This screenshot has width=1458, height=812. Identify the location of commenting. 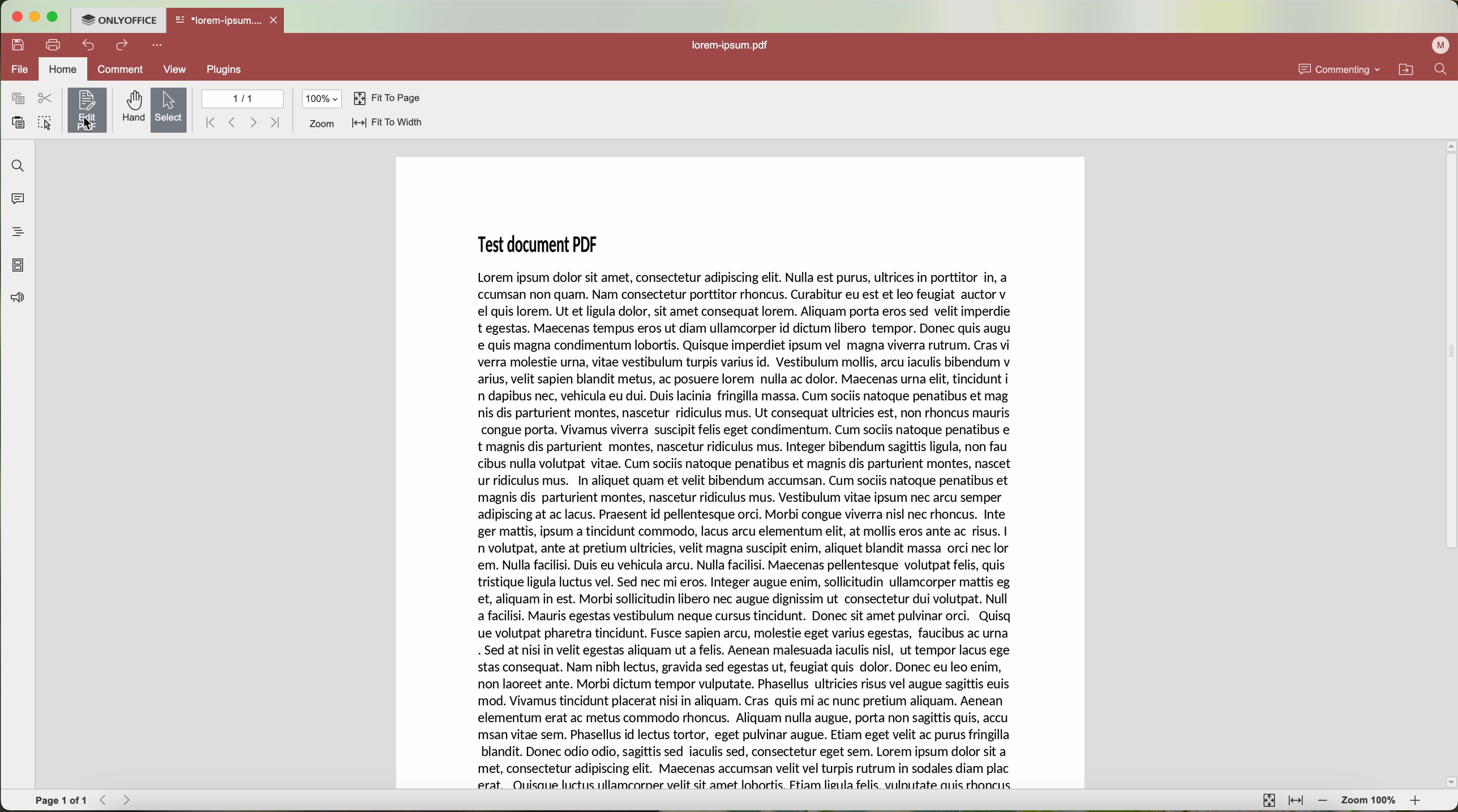
(1335, 67).